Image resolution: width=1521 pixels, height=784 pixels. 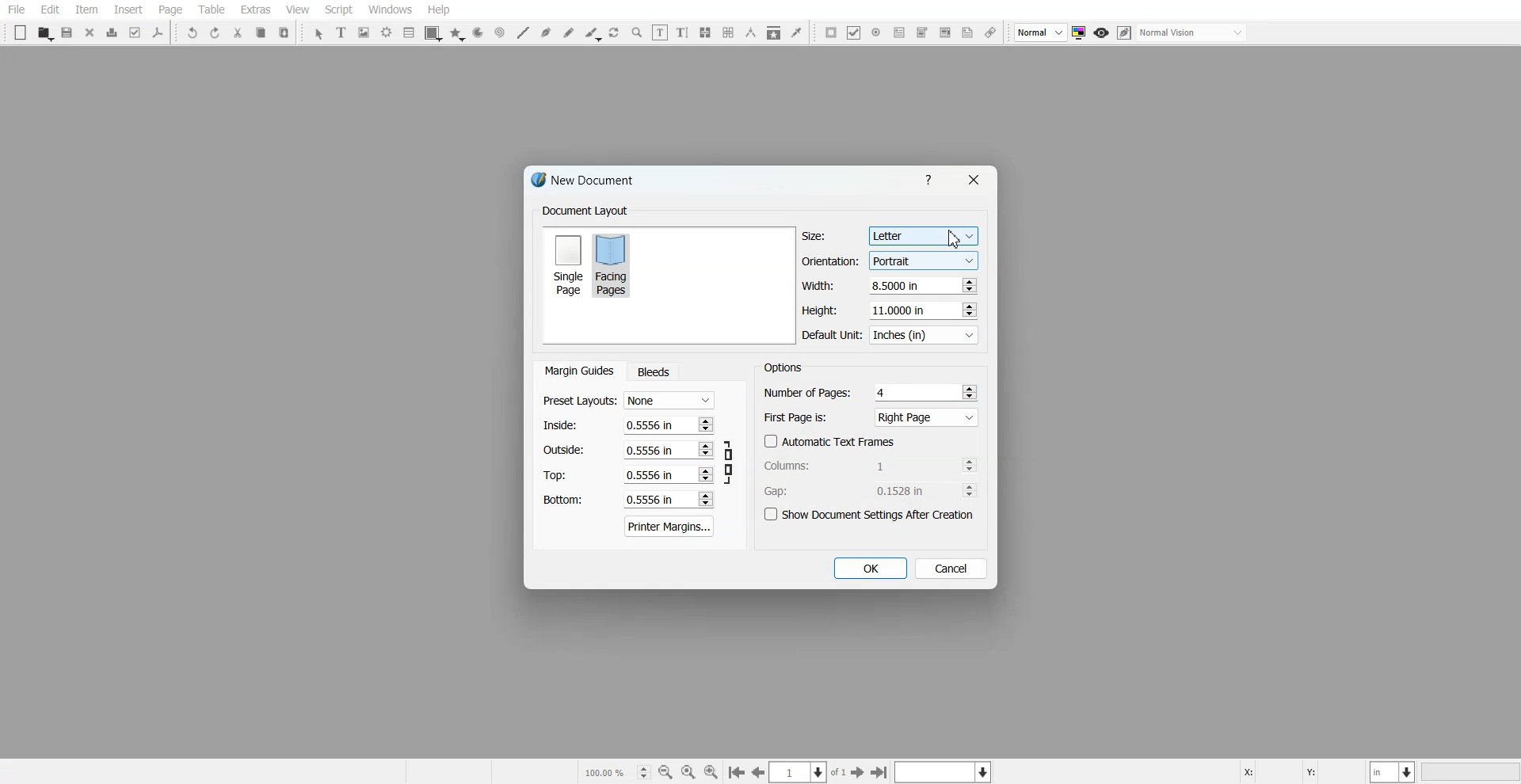 What do you see at coordinates (706, 450) in the screenshot?
I see `Increase and decrease No. ` at bounding box center [706, 450].